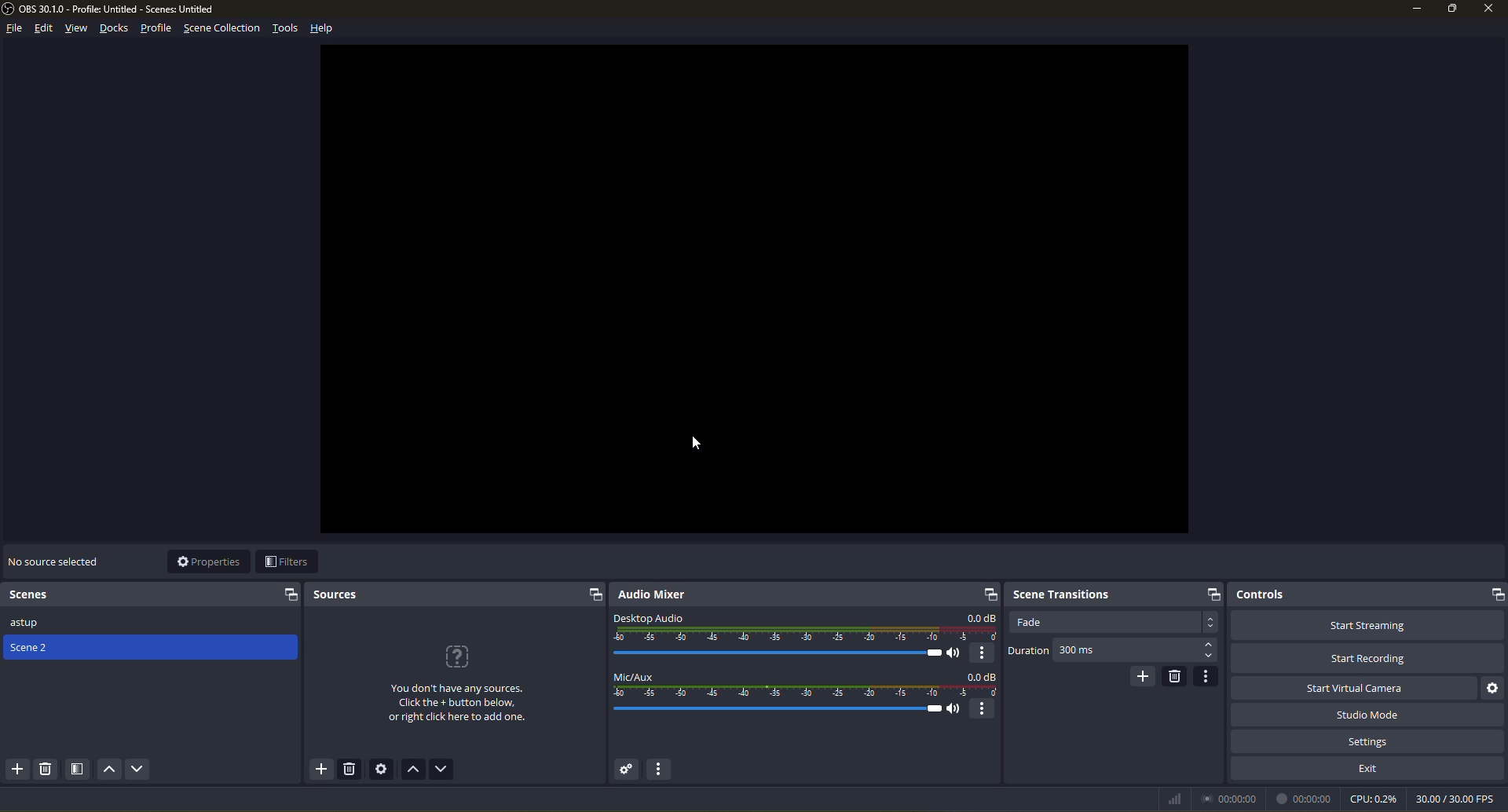 The height and width of the screenshot is (812, 1508). What do you see at coordinates (1175, 676) in the screenshot?
I see `remove configurable transition` at bounding box center [1175, 676].